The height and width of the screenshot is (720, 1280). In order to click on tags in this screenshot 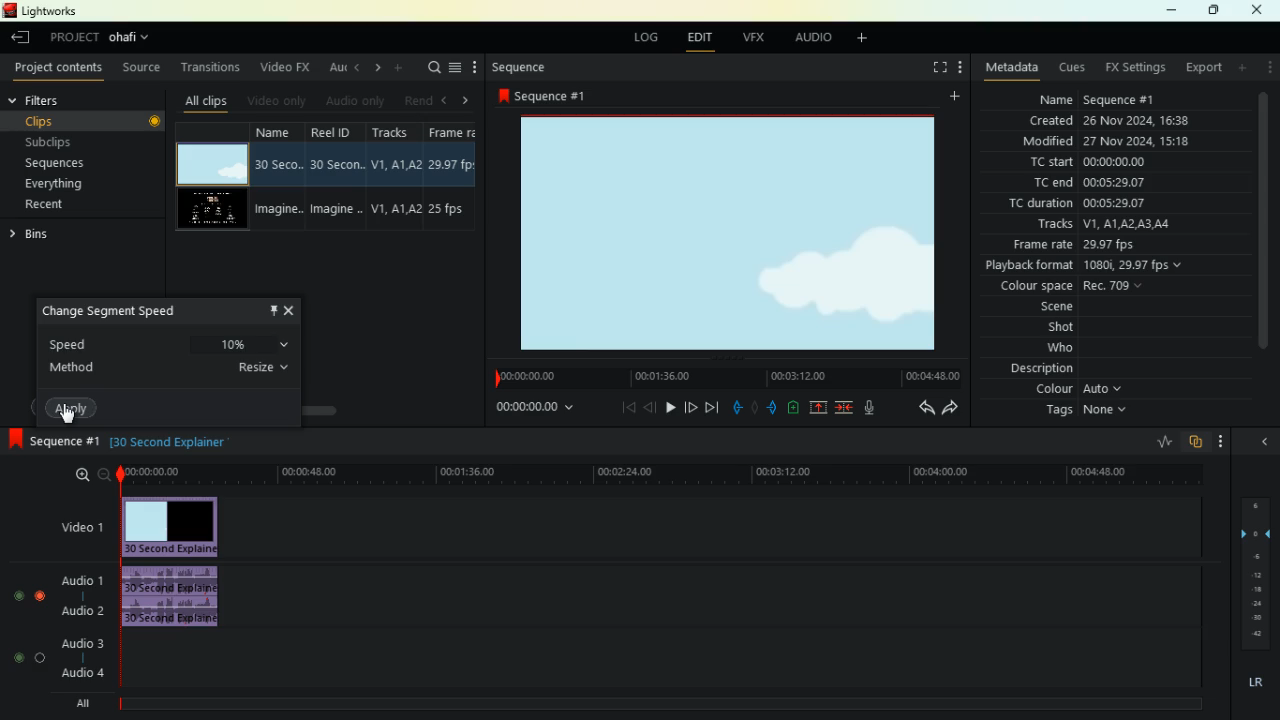, I will do `click(1079, 411)`.